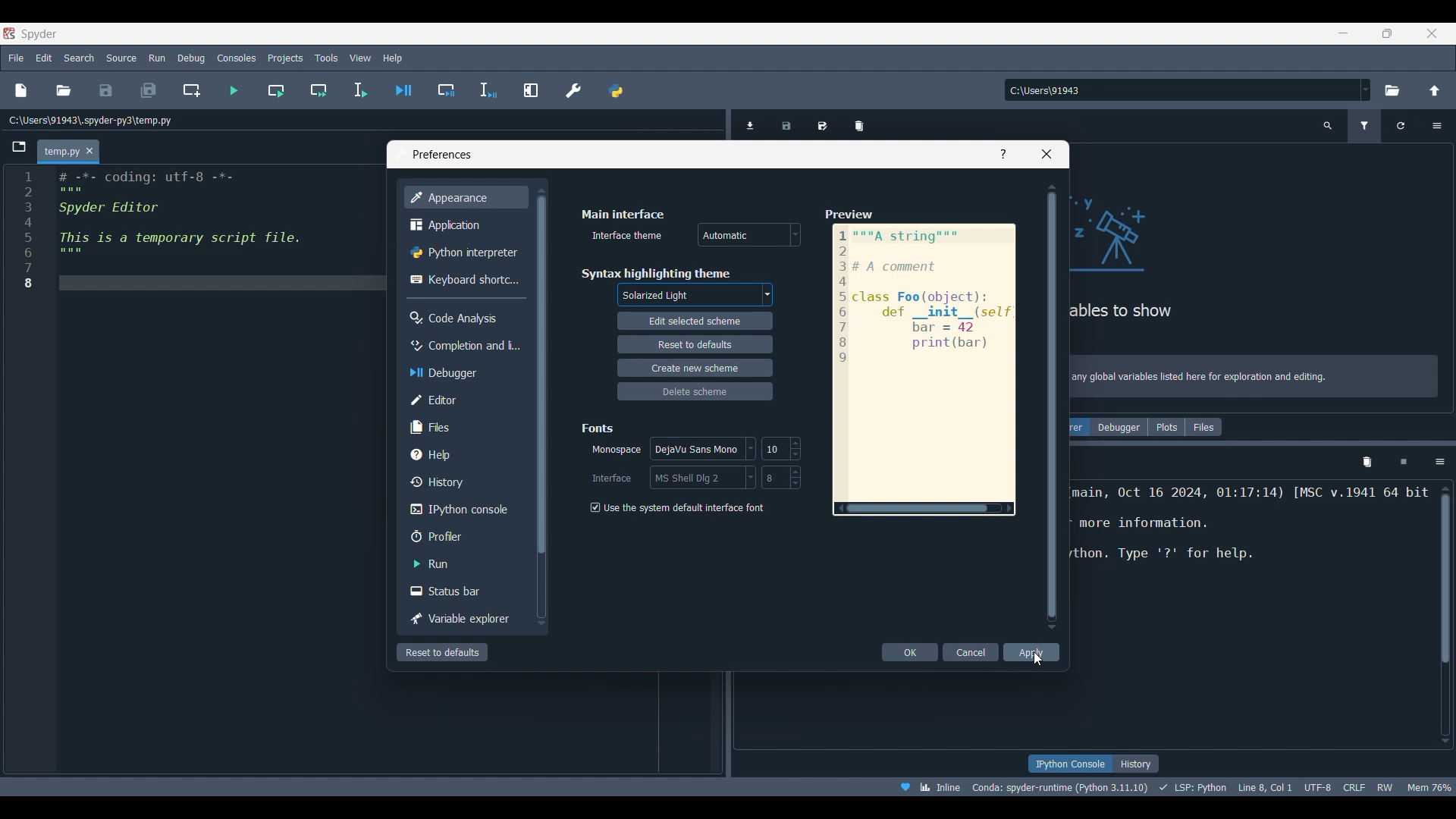 The image size is (1456, 819). I want to click on Save data as, so click(822, 121).